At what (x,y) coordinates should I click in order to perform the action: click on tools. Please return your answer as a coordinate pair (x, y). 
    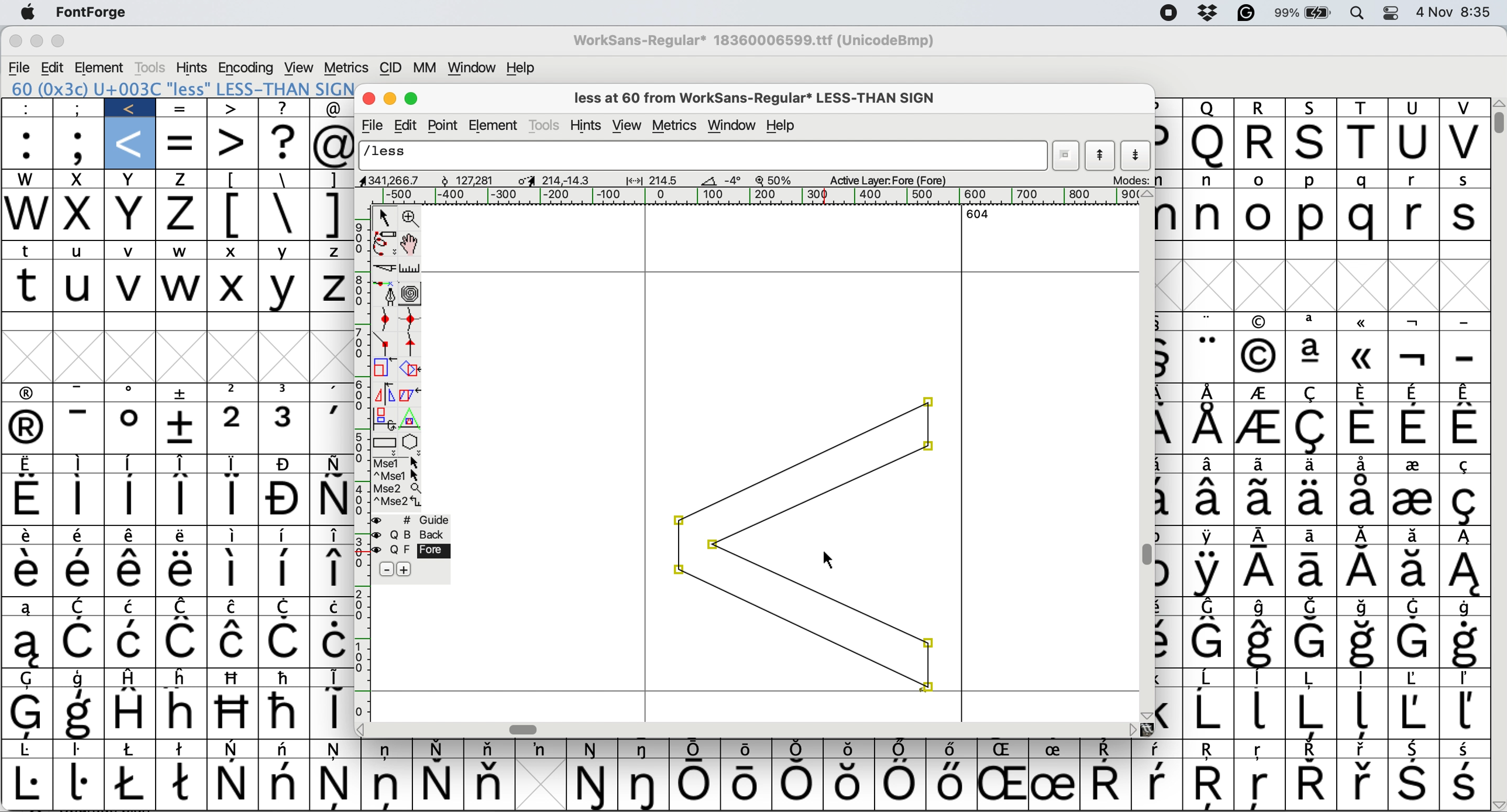
    Looking at the image, I should click on (150, 68).